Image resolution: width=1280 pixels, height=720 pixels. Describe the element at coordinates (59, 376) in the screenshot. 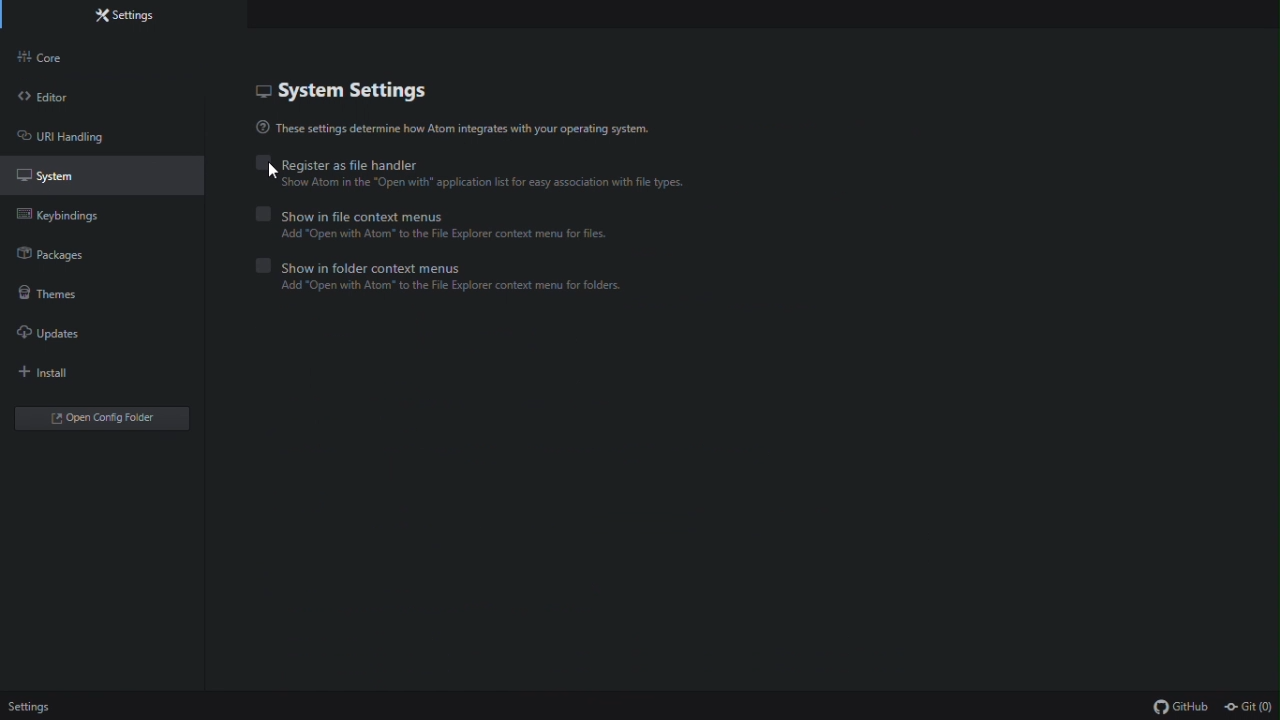

I see `Install ` at that location.